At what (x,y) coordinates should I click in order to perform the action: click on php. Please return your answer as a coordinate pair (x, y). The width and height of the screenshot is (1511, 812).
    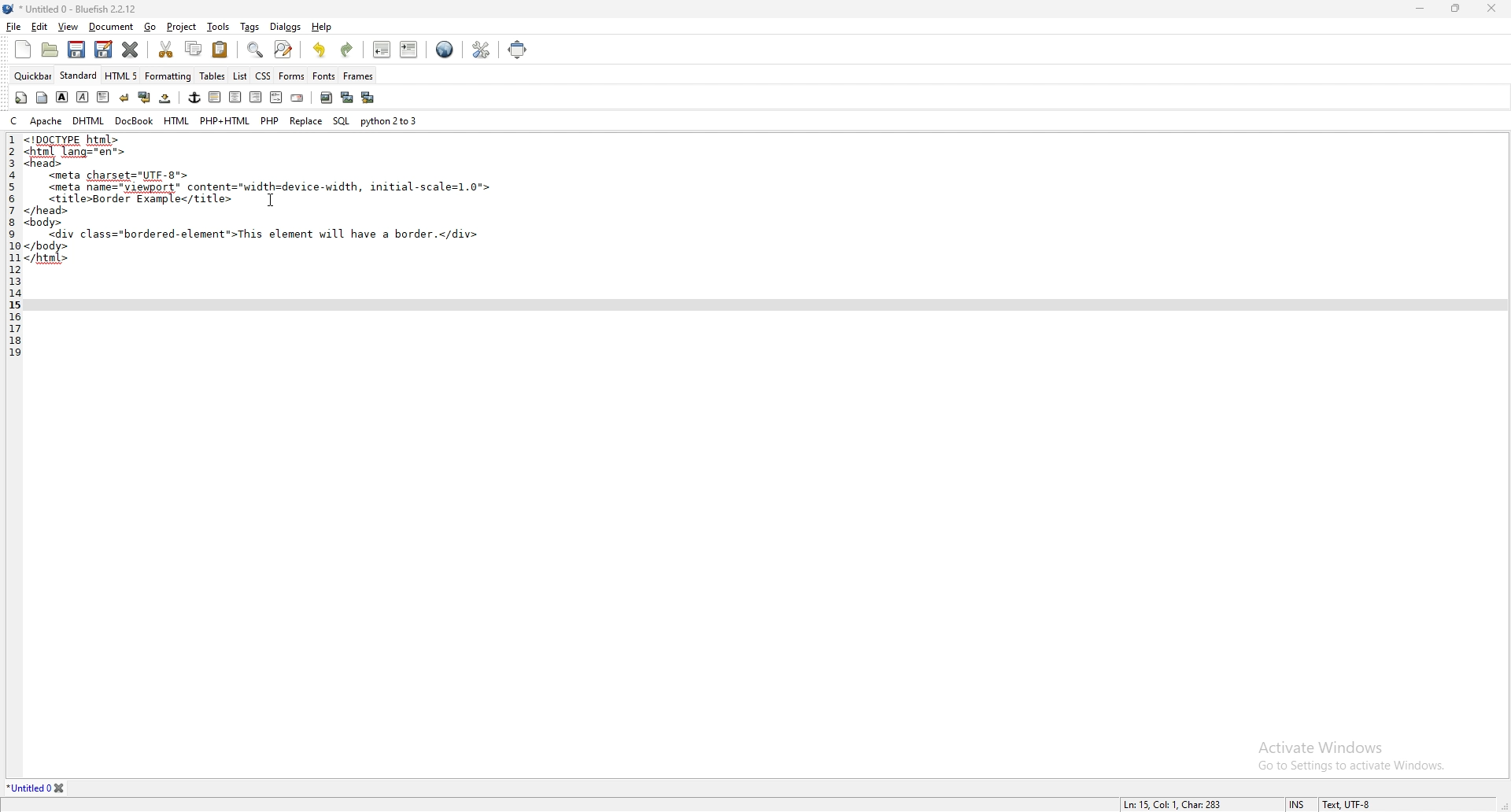
    Looking at the image, I should click on (269, 119).